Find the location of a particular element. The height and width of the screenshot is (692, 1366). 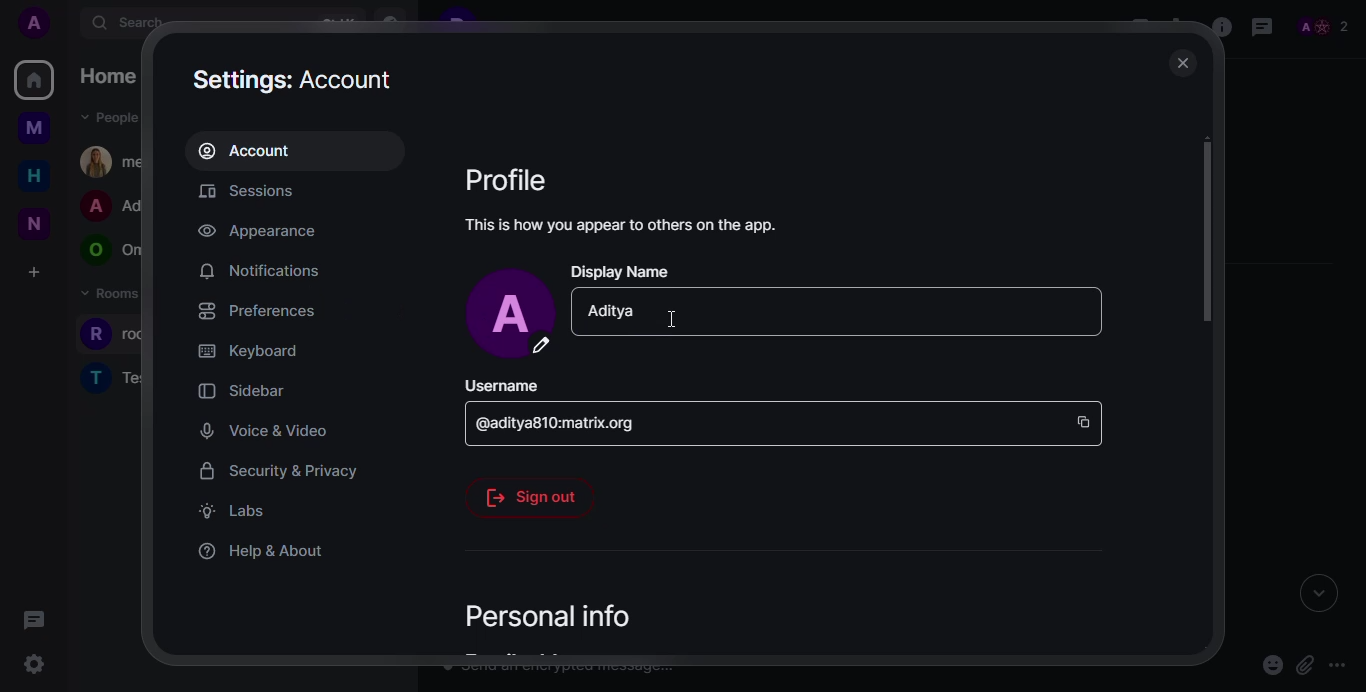

sessions is located at coordinates (256, 191).